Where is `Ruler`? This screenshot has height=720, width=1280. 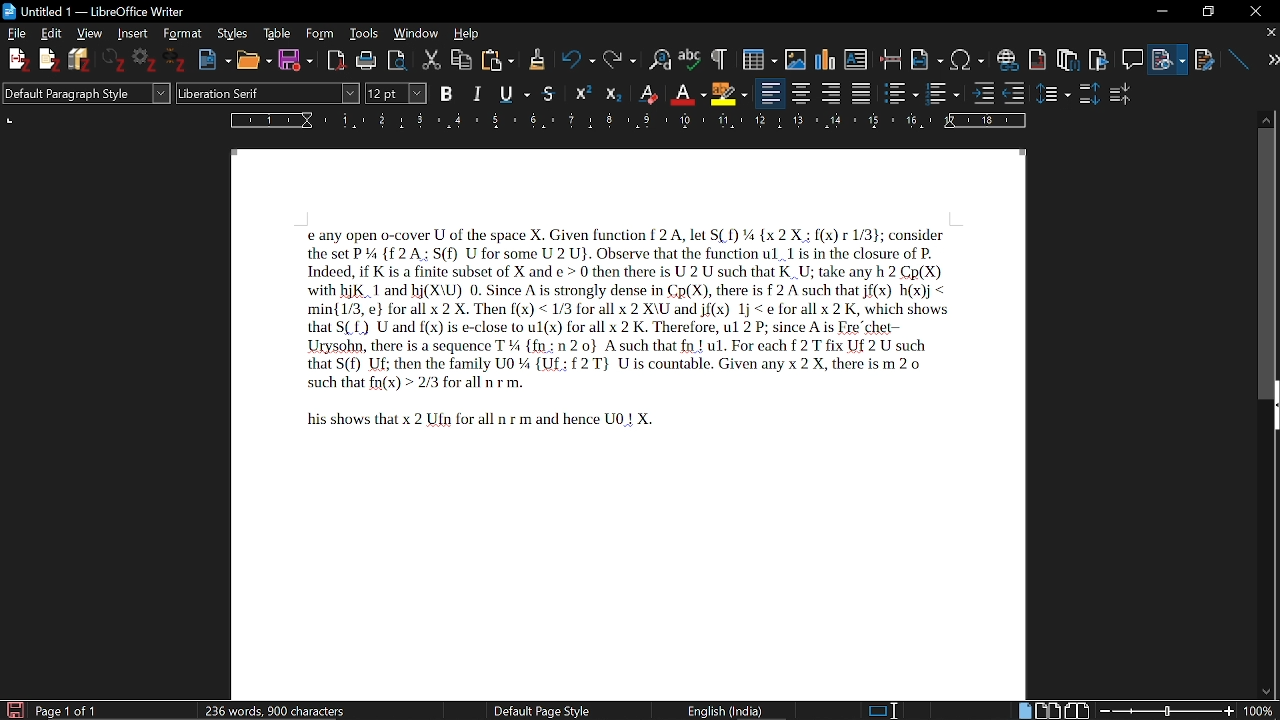
Ruler is located at coordinates (632, 120).